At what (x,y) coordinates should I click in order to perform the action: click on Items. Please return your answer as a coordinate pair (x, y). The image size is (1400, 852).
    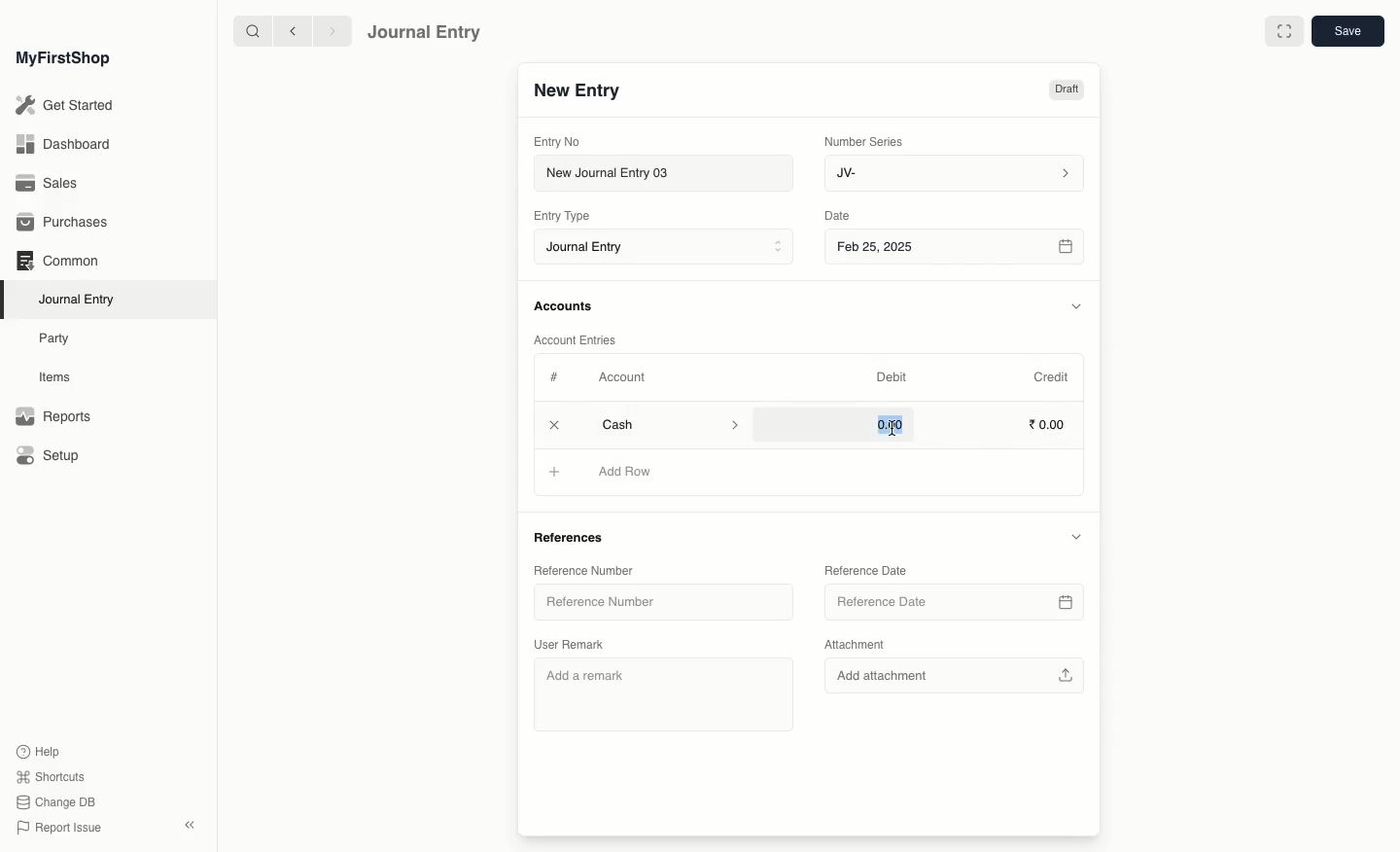
    Looking at the image, I should click on (60, 377).